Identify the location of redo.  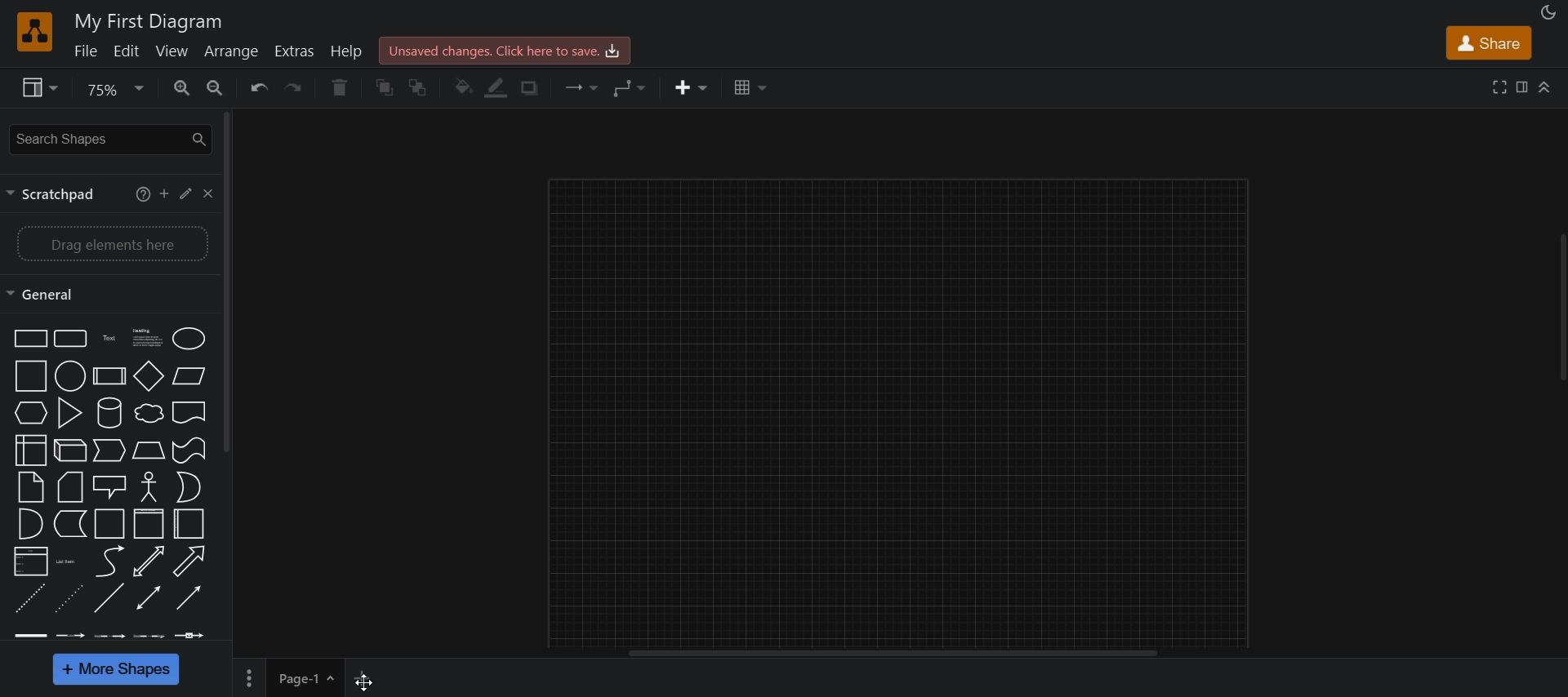
(300, 88).